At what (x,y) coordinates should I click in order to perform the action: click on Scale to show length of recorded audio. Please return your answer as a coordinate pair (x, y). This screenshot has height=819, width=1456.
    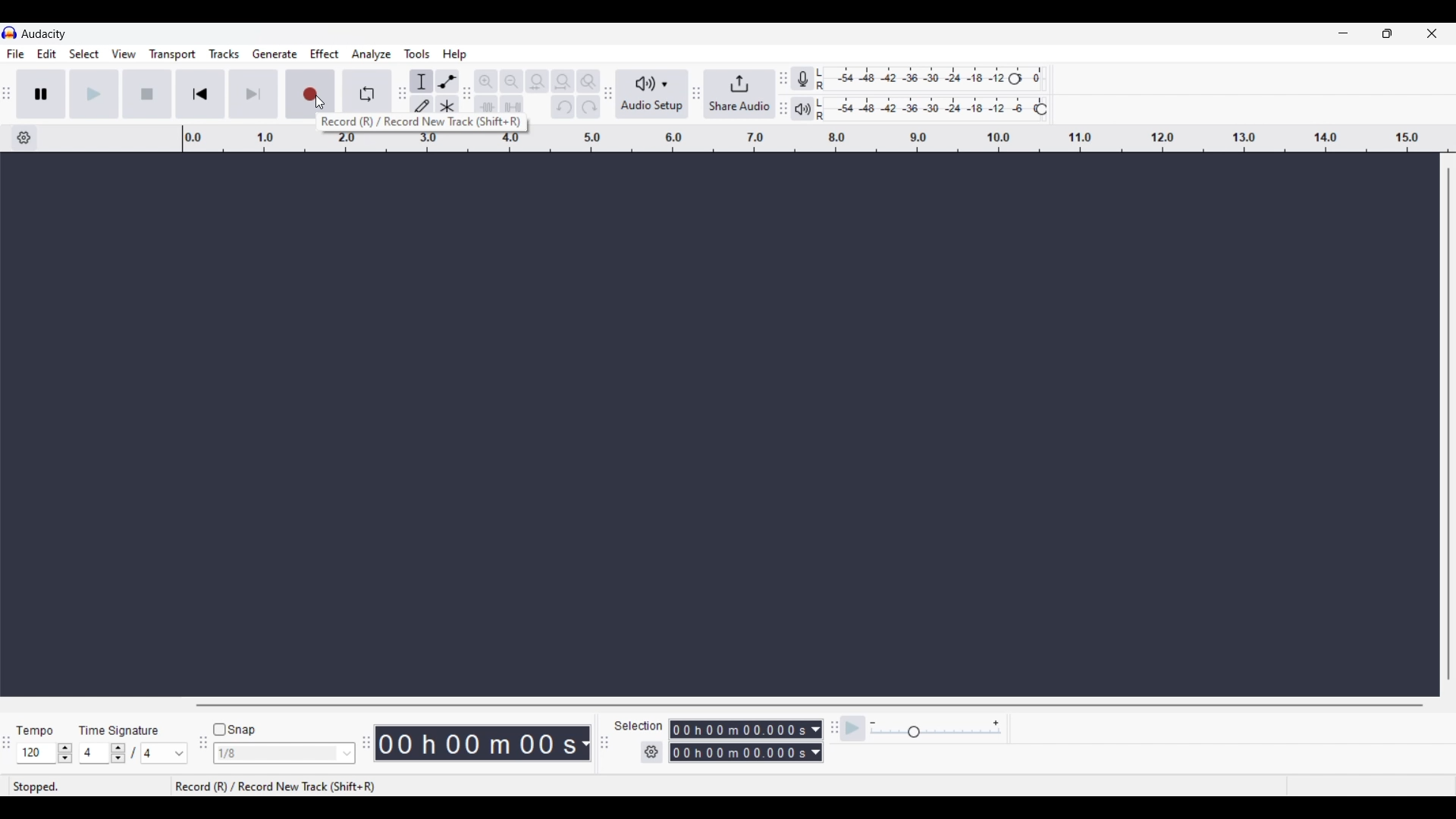
    Looking at the image, I should click on (818, 142).